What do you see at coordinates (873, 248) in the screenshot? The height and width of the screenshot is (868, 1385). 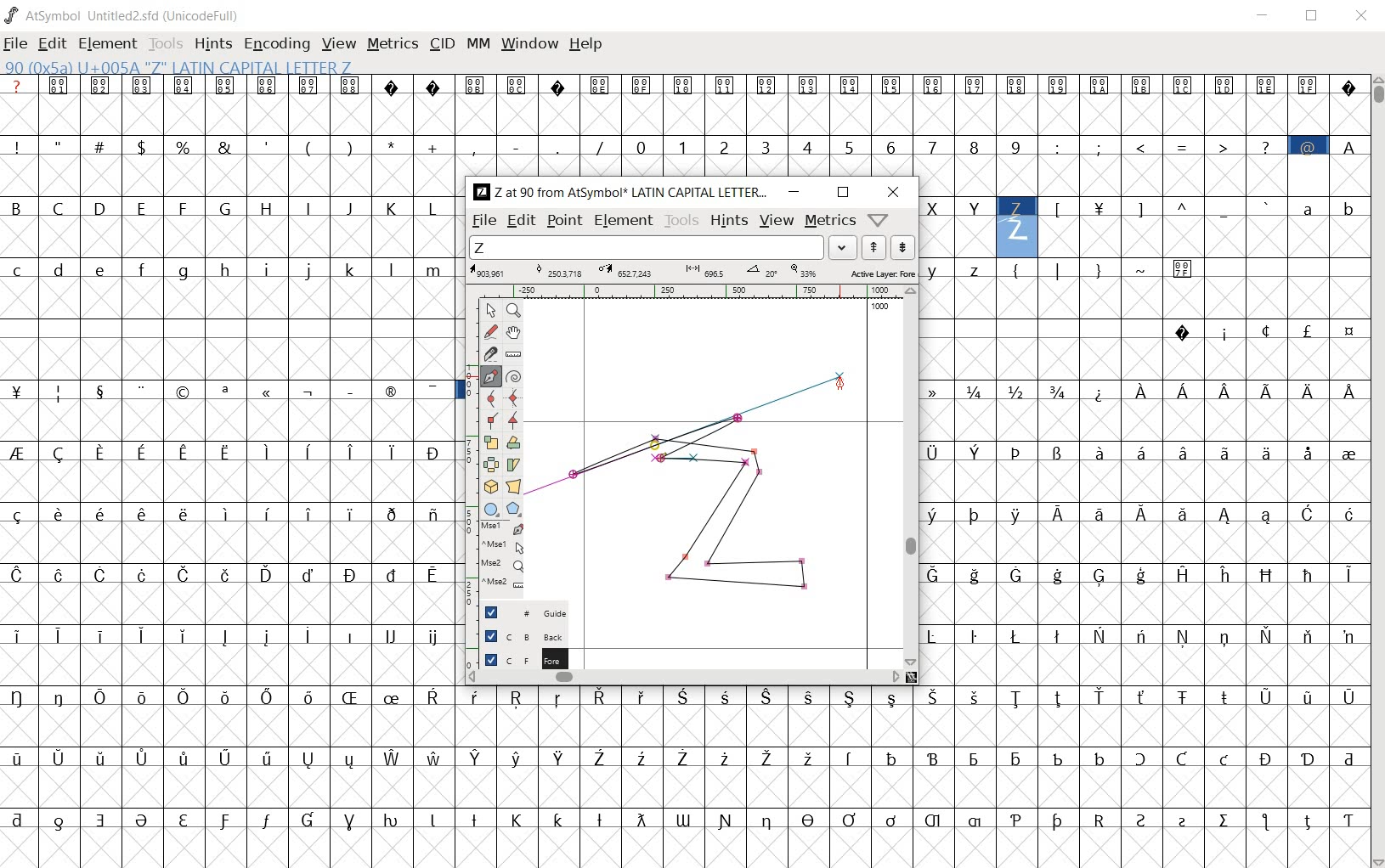 I see `show the next word on the list` at bounding box center [873, 248].